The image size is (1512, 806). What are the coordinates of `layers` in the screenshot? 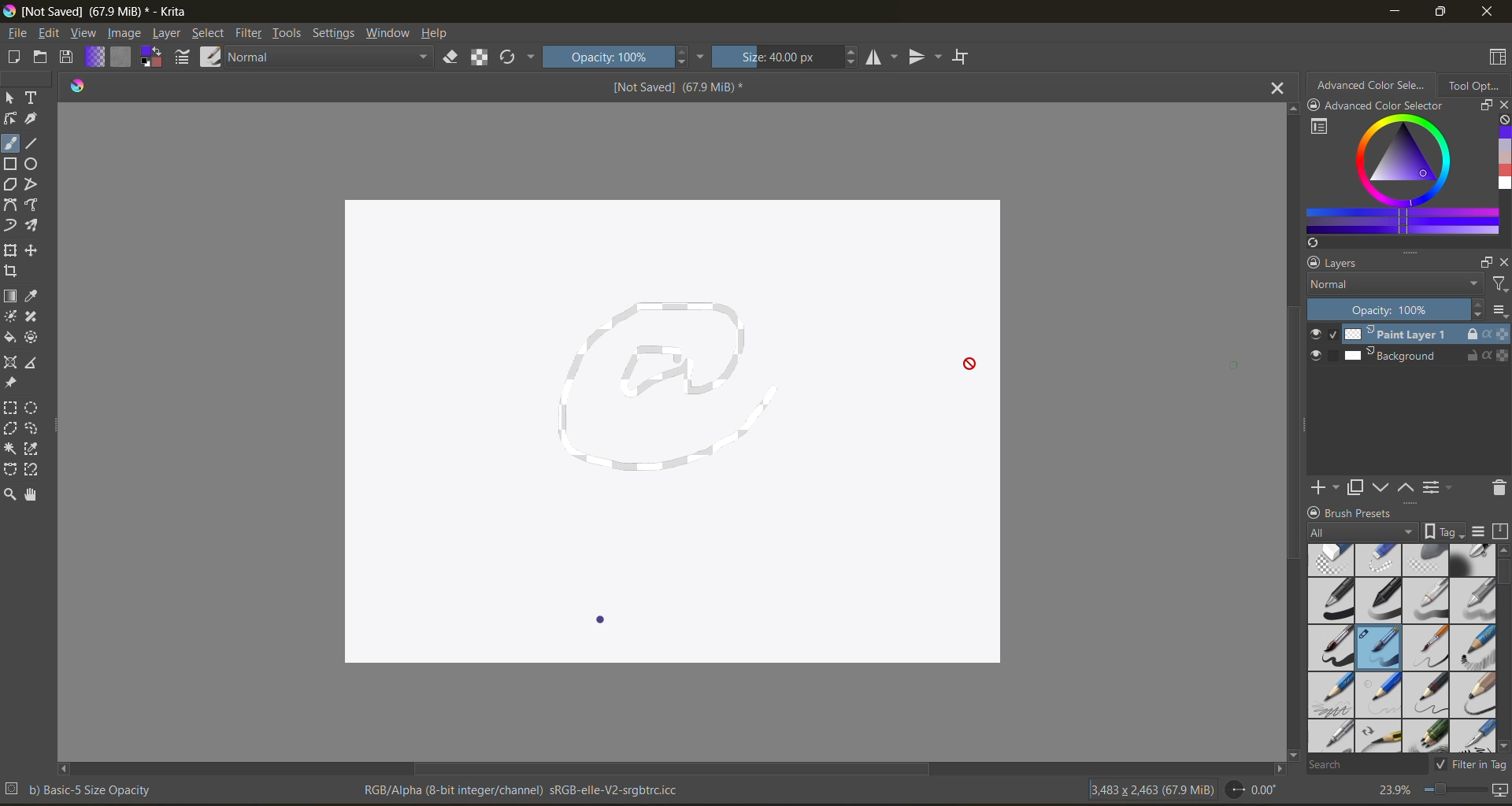 It's located at (1342, 262).